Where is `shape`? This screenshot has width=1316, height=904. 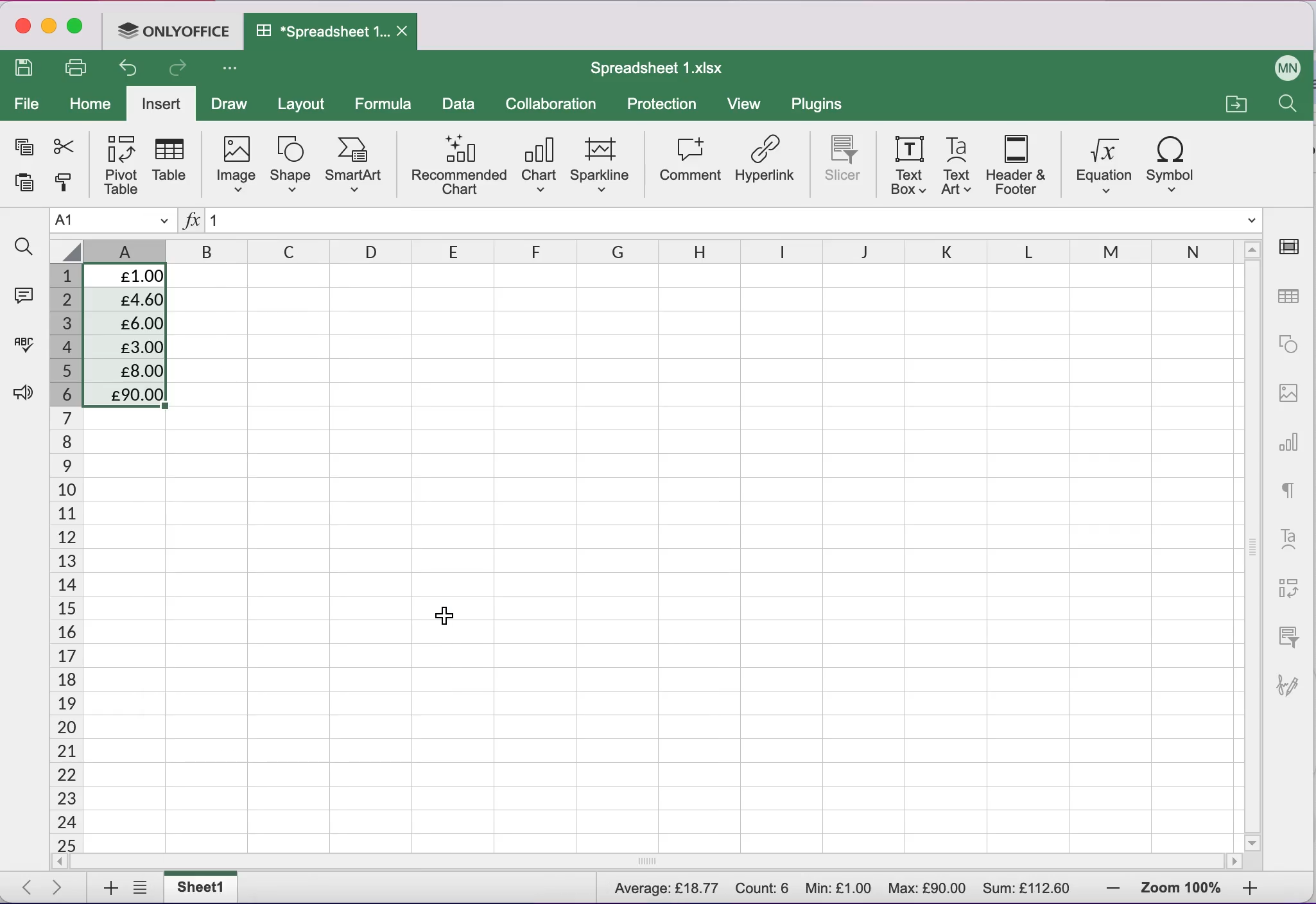 shape is located at coordinates (289, 168).